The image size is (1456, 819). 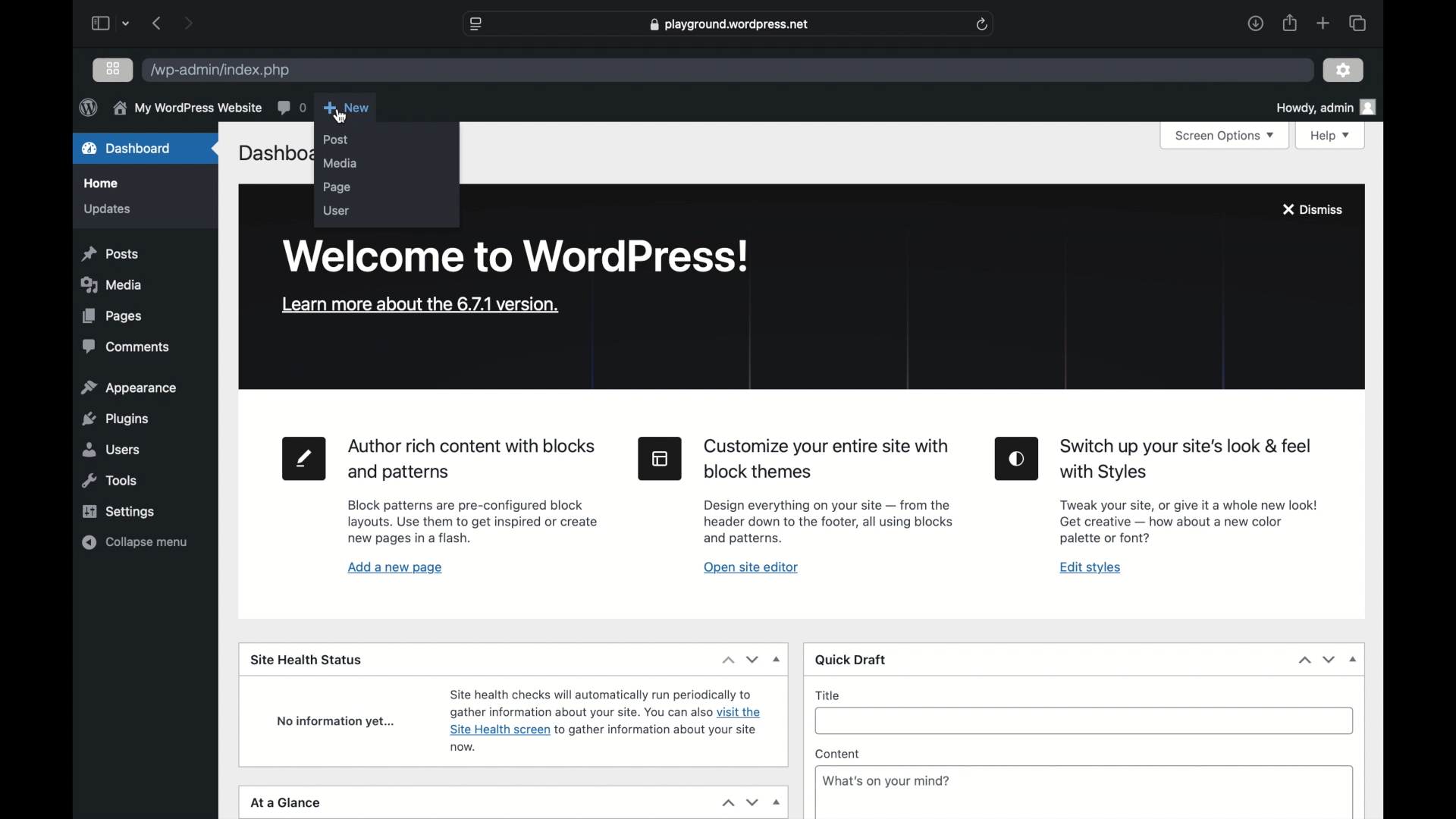 I want to click on screen options, so click(x=1225, y=136).